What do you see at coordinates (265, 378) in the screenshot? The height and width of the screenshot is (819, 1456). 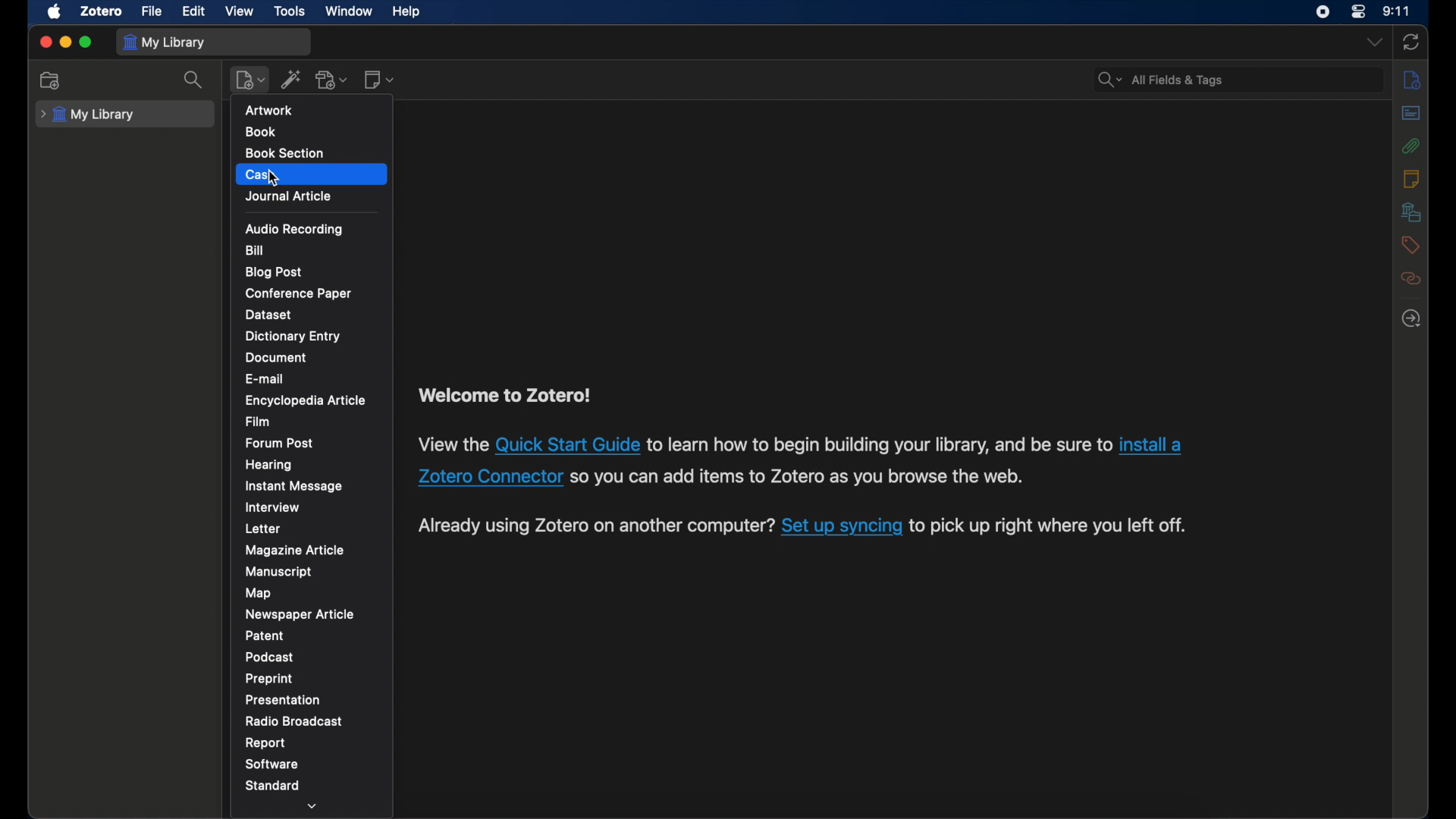 I see `e-mail` at bounding box center [265, 378].